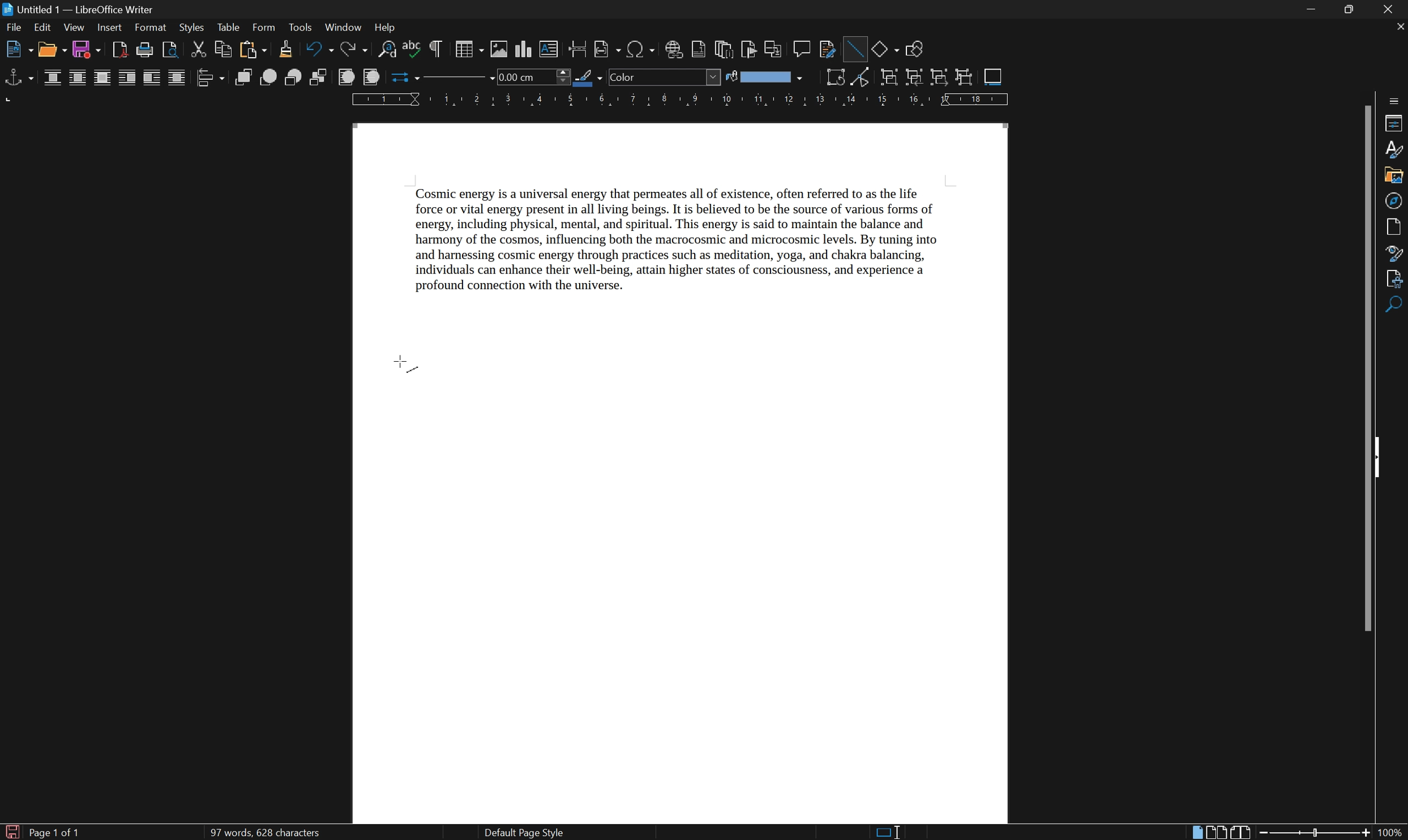 The width and height of the screenshot is (1408, 840). What do you see at coordinates (854, 47) in the screenshot?
I see `insert line` at bounding box center [854, 47].